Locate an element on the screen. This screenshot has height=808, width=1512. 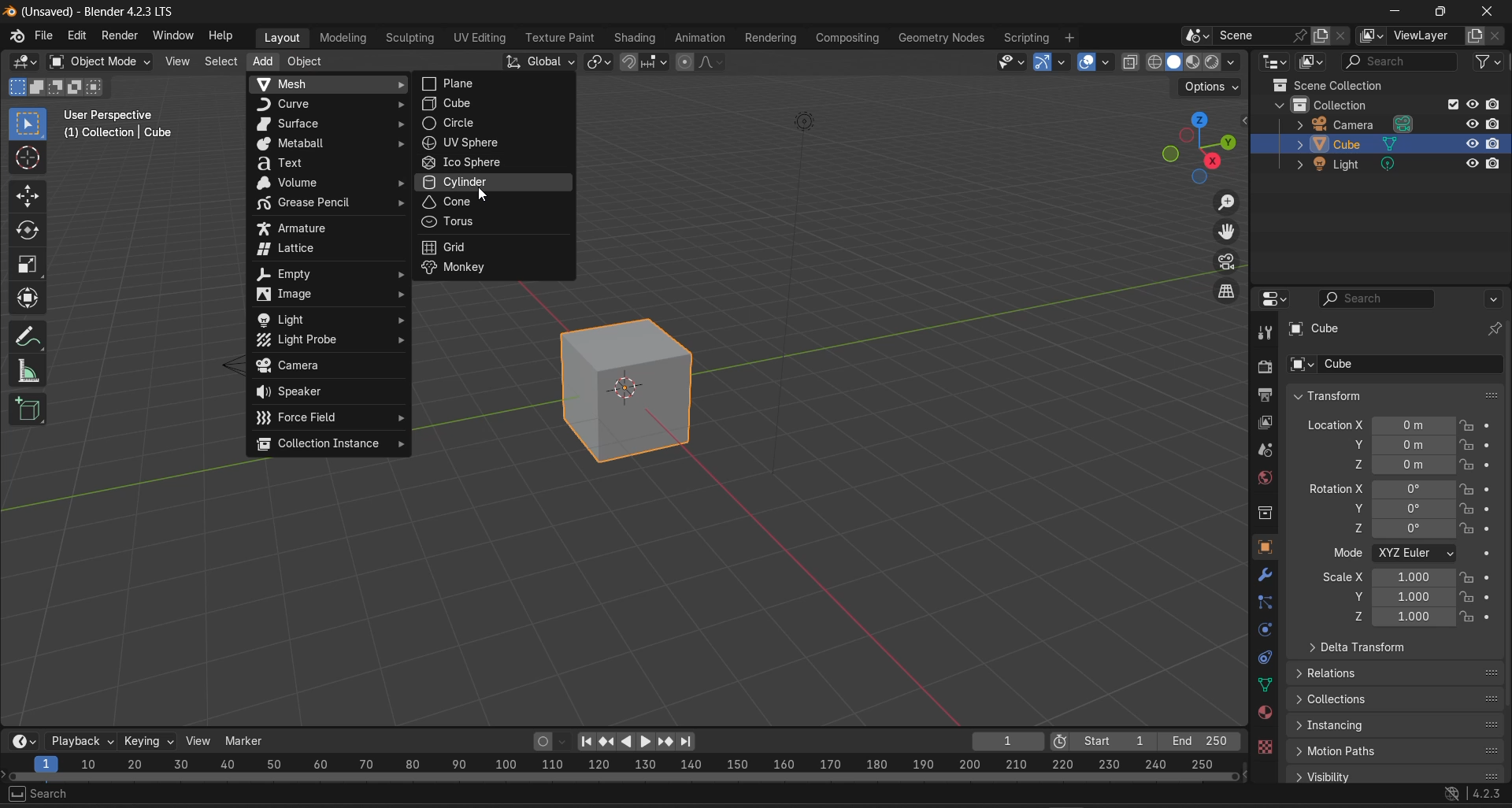
cube is located at coordinates (495, 103).